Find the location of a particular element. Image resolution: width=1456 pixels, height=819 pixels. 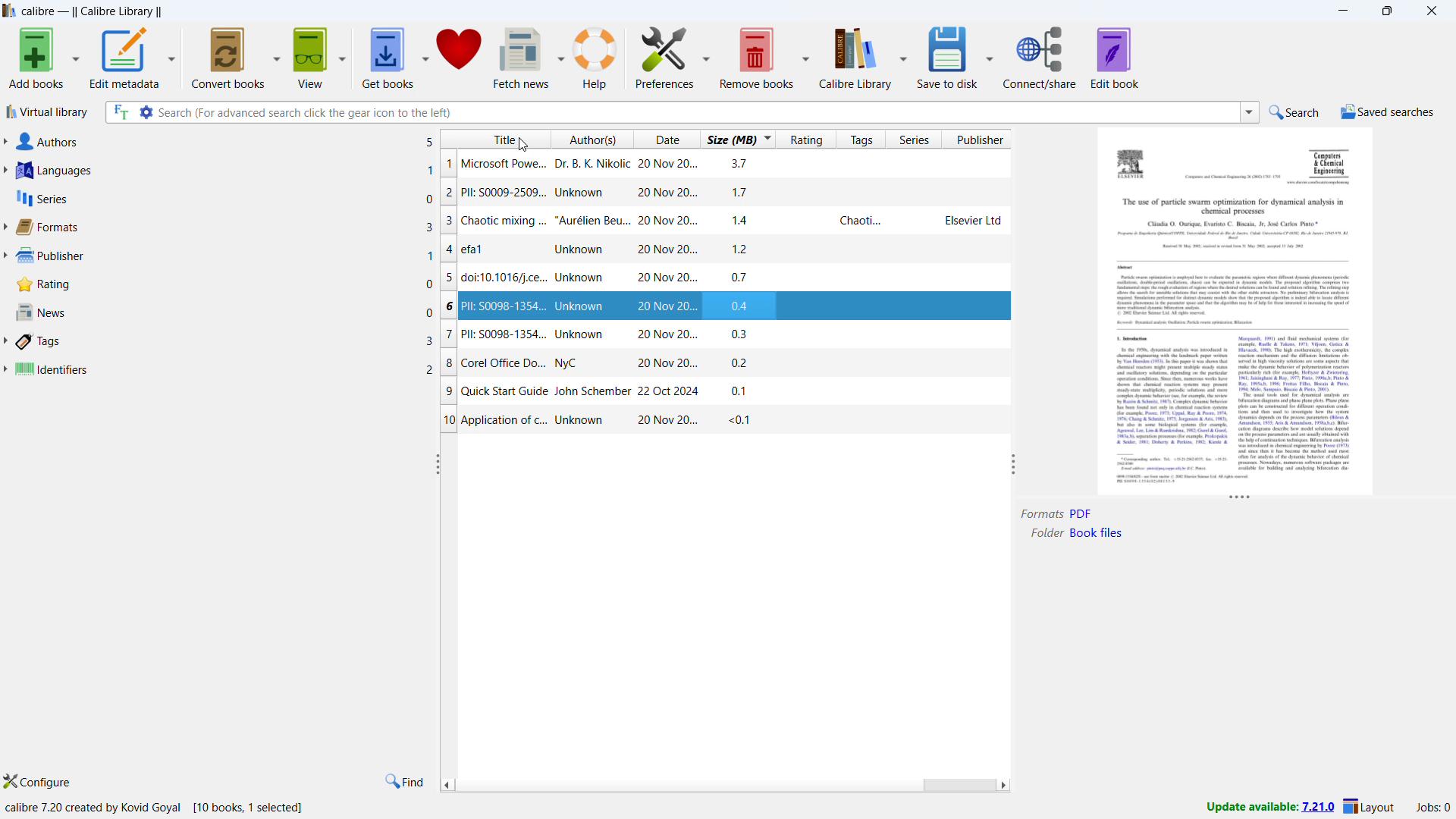

edit metadata options is located at coordinates (168, 58).